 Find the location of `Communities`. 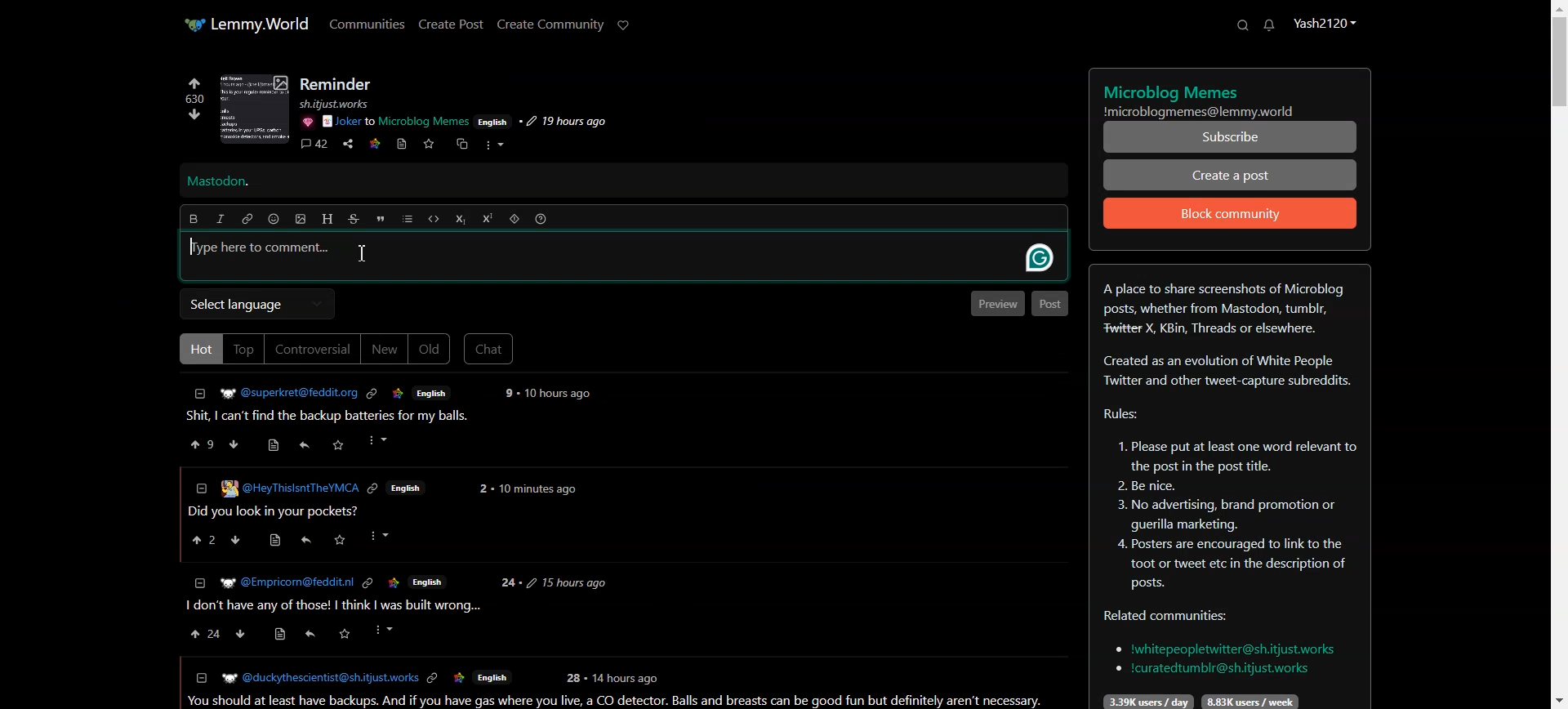

Communities is located at coordinates (367, 23).